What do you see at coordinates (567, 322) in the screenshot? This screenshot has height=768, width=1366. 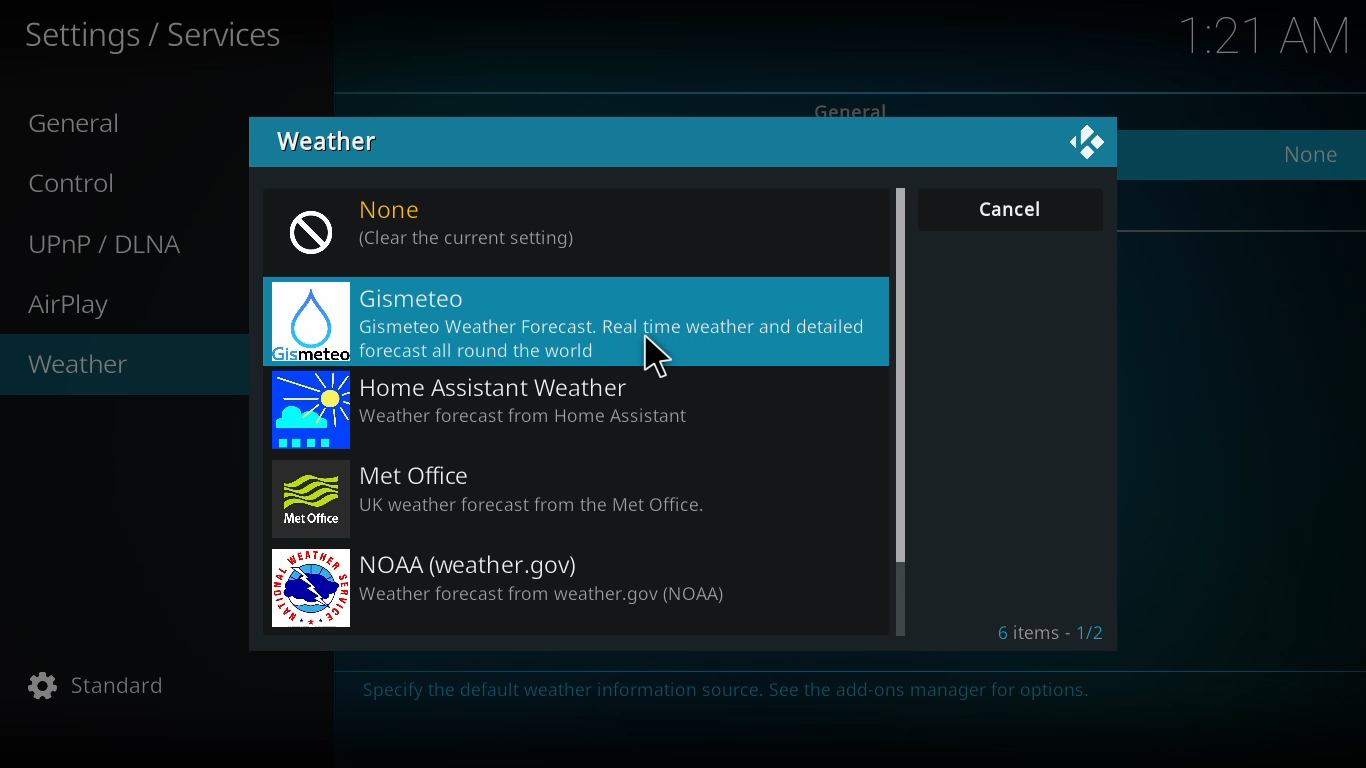 I see `gismeteo` at bounding box center [567, 322].